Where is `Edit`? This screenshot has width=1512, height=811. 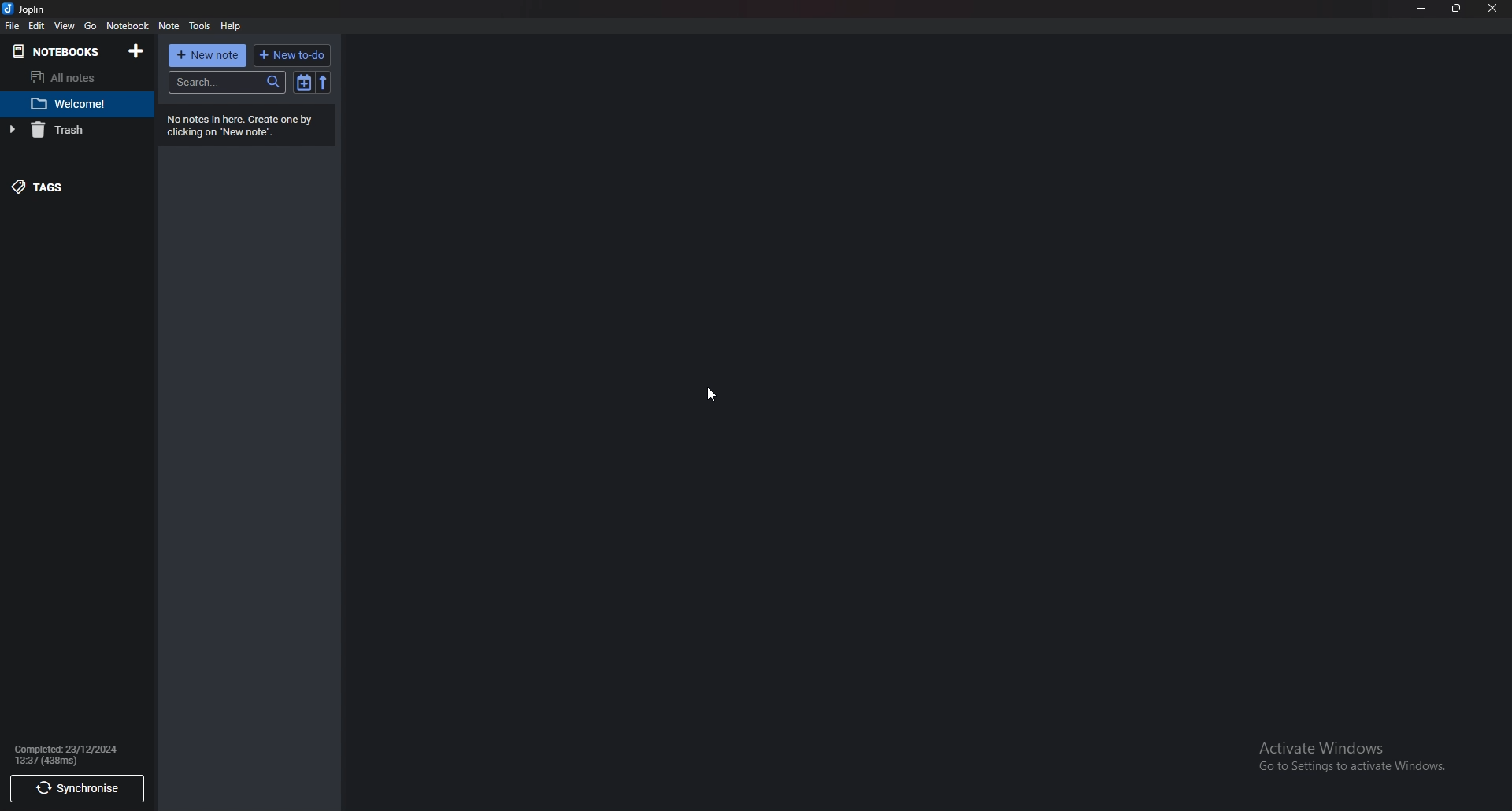
Edit is located at coordinates (37, 25).